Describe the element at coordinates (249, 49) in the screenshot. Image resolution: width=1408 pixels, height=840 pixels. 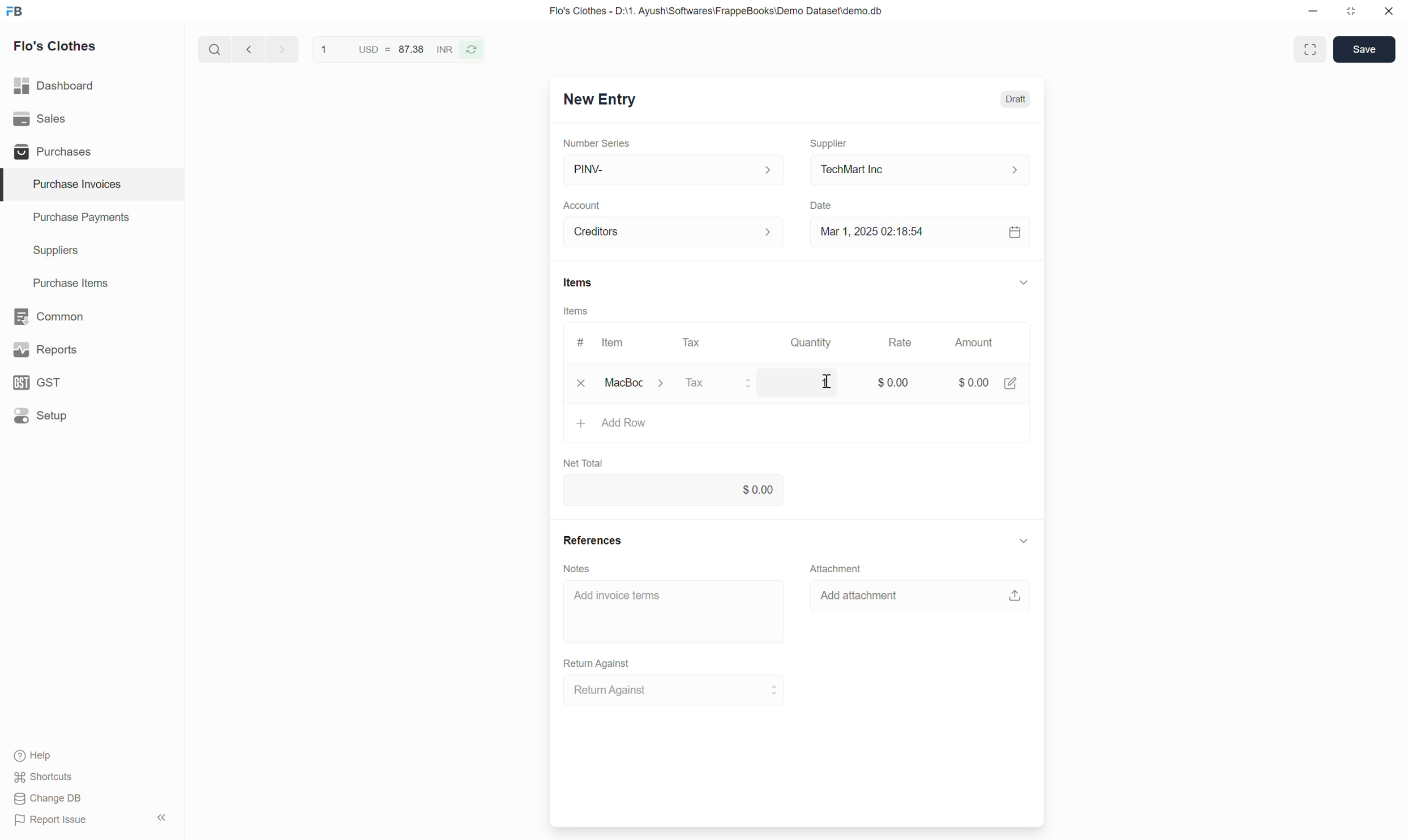
I see `Previous` at that location.